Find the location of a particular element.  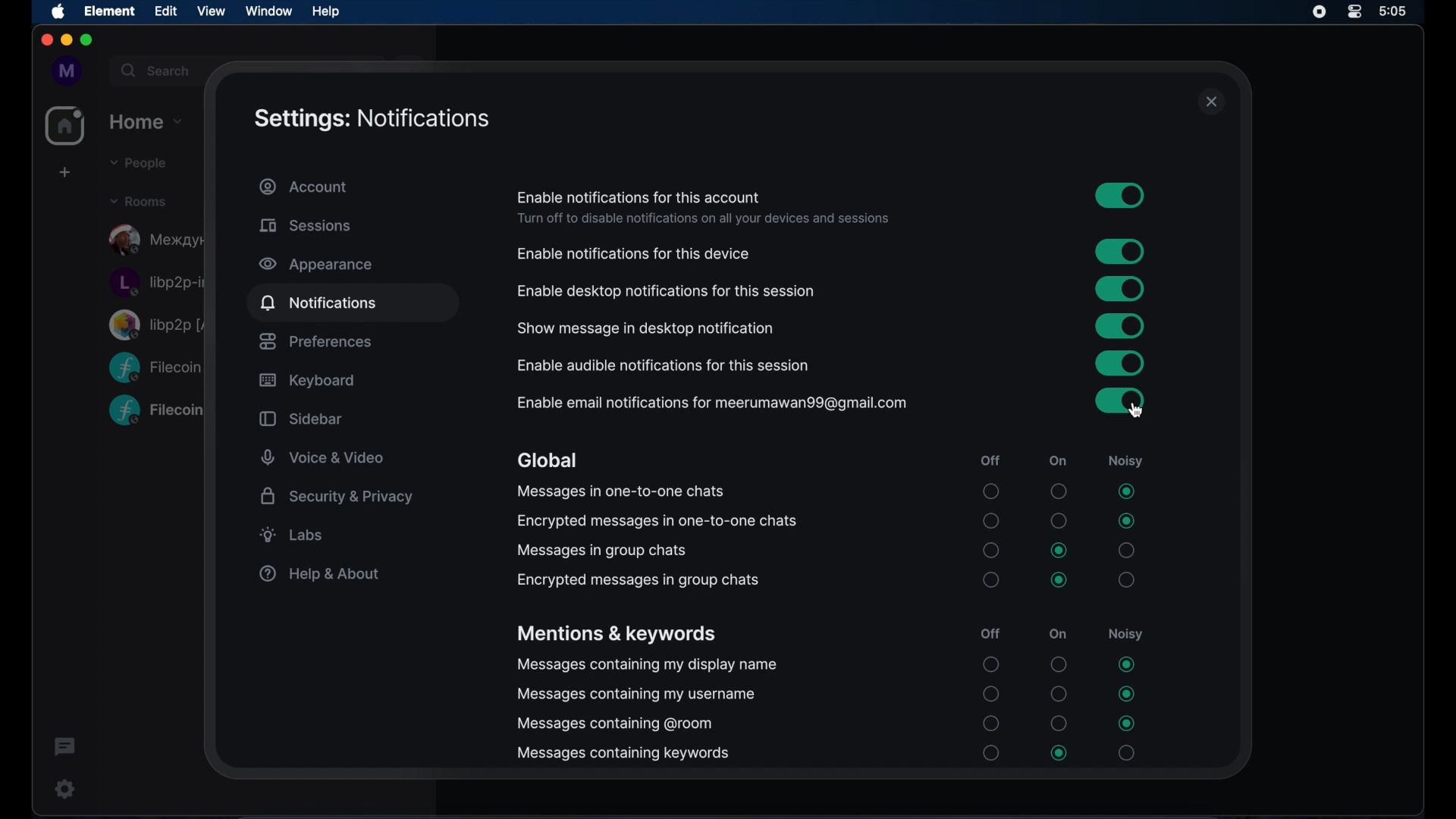

messages in one-to-one chats is located at coordinates (620, 491).